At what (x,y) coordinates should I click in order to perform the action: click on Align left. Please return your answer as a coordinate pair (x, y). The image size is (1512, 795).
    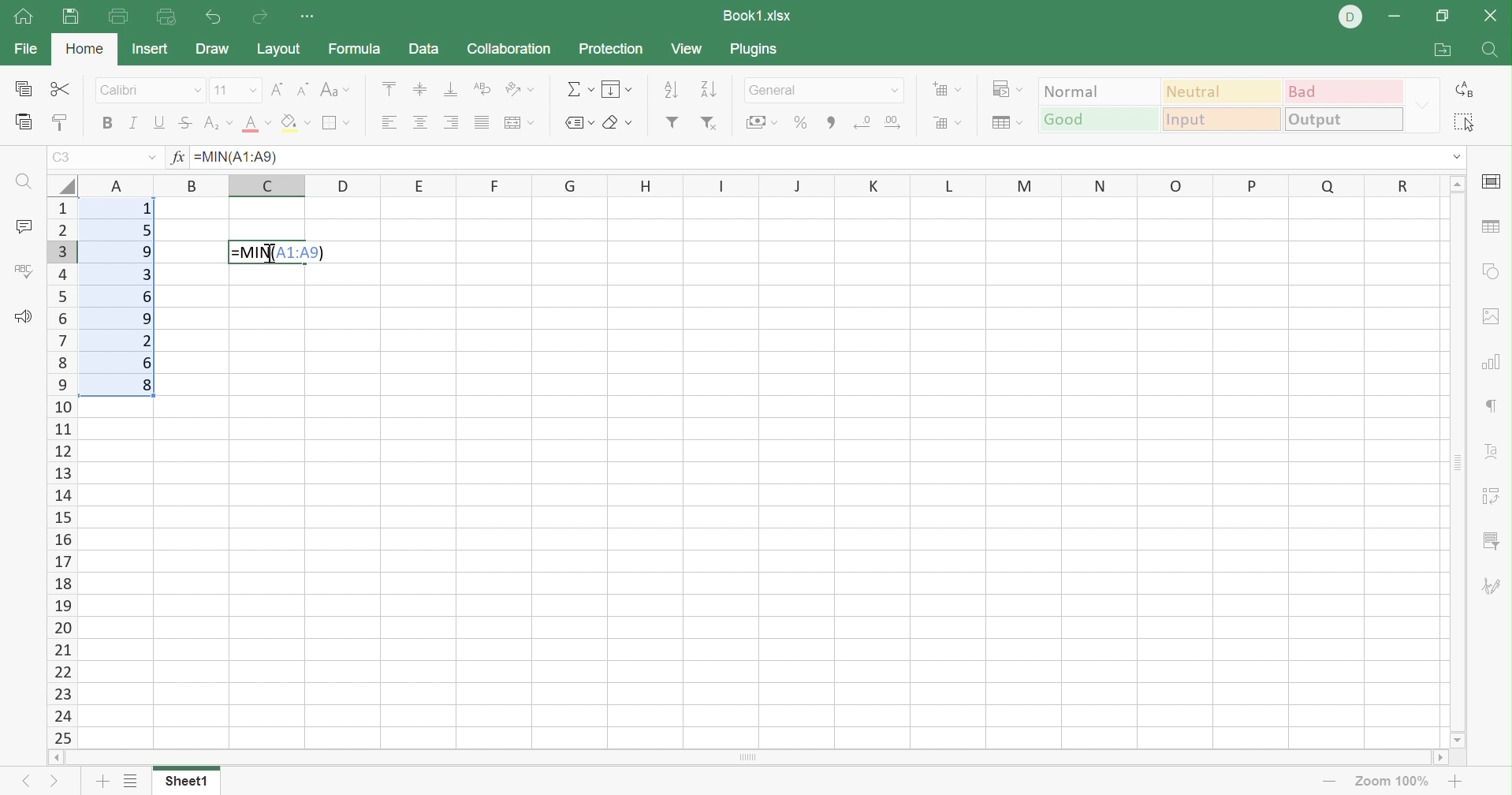
    Looking at the image, I should click on (391, 120).